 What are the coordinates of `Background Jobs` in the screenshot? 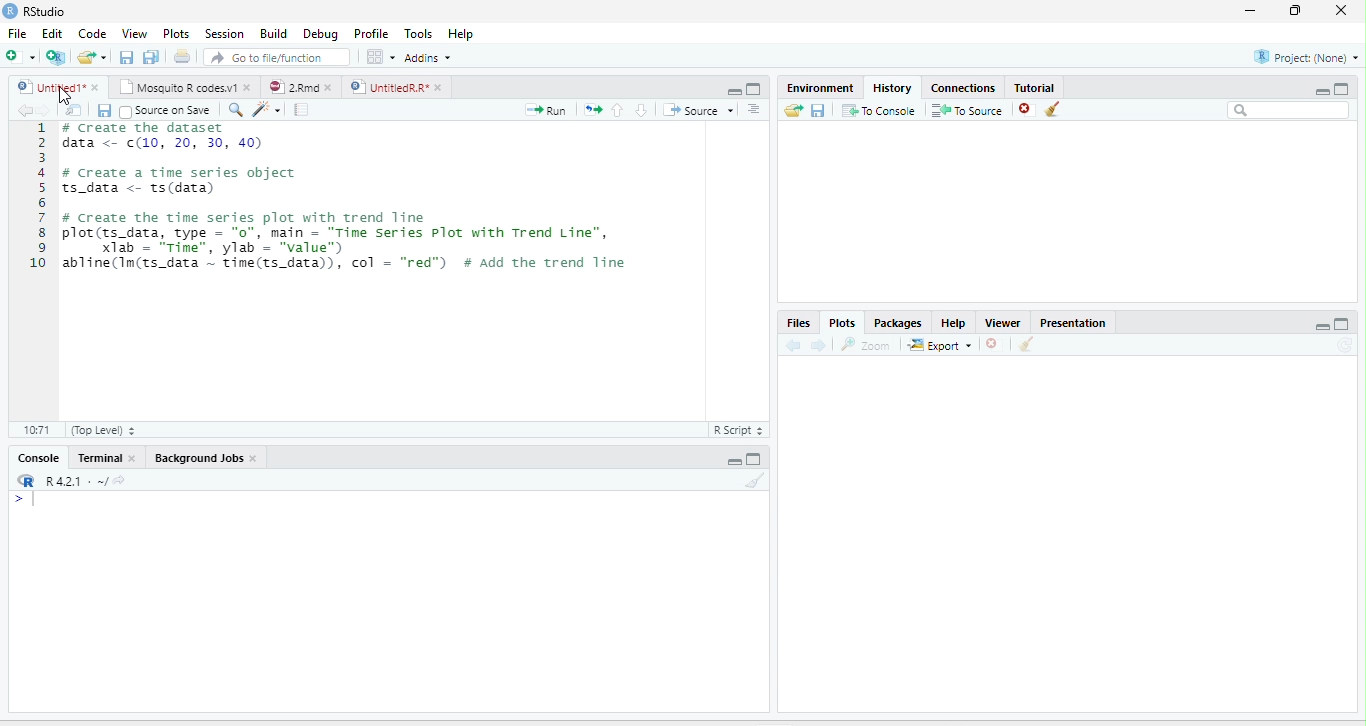 It's located at (197, 458).